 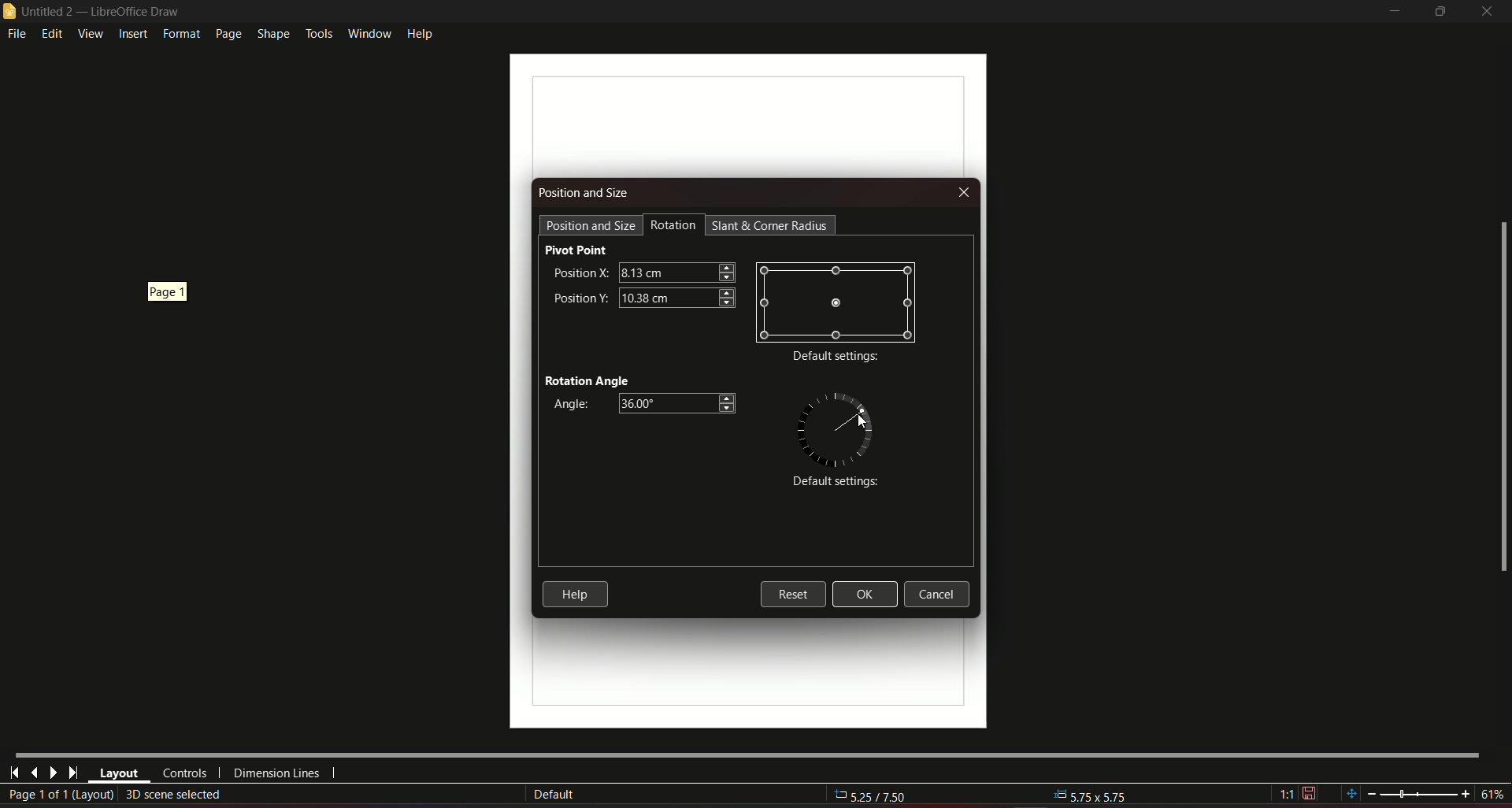 What do you see at coordinates (861, 422) in the screenshot?
I see `Cursor` at bounding box center [861, 422].